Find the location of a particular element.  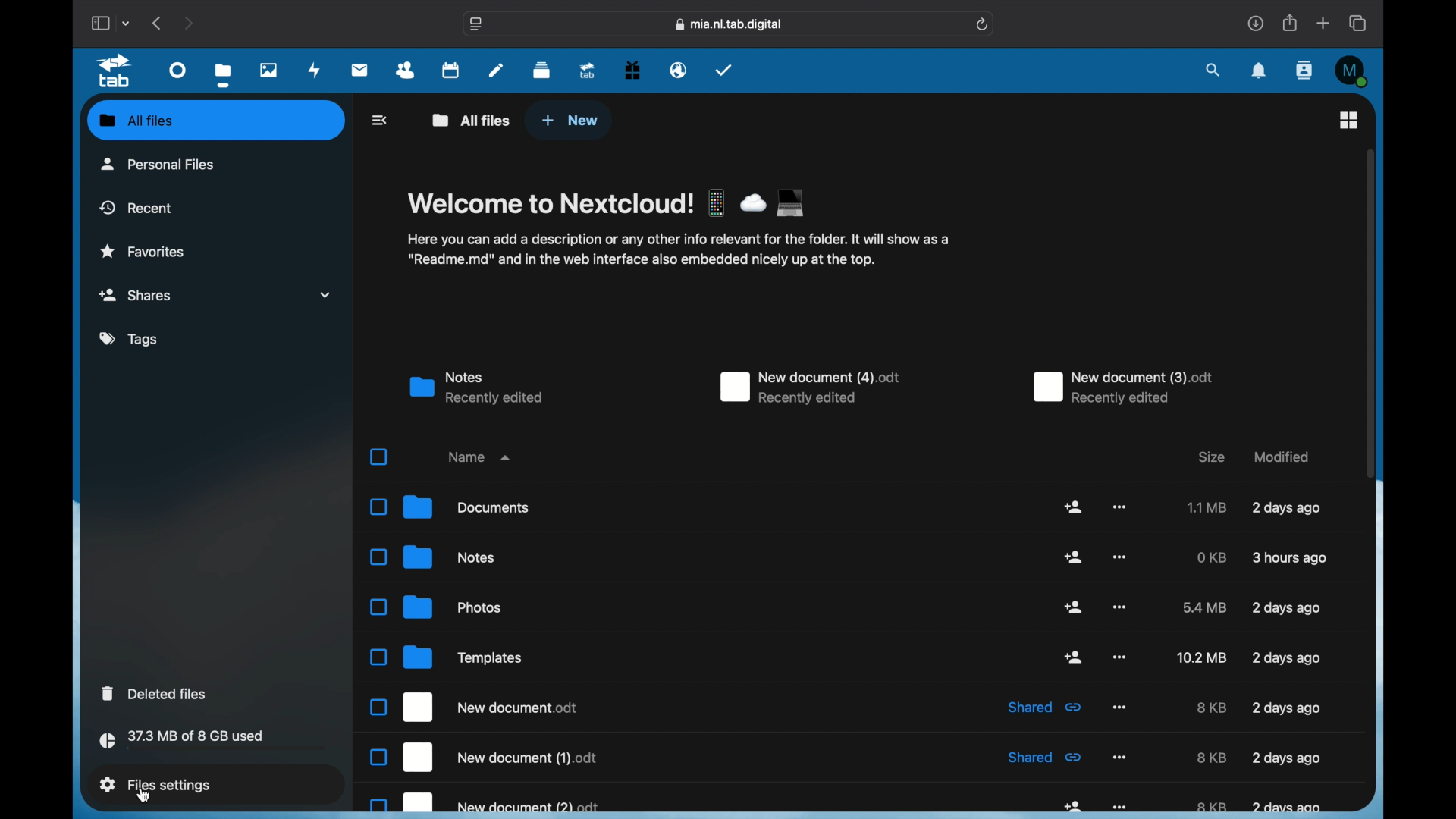

contacts is located at coordinates (1306, 70).